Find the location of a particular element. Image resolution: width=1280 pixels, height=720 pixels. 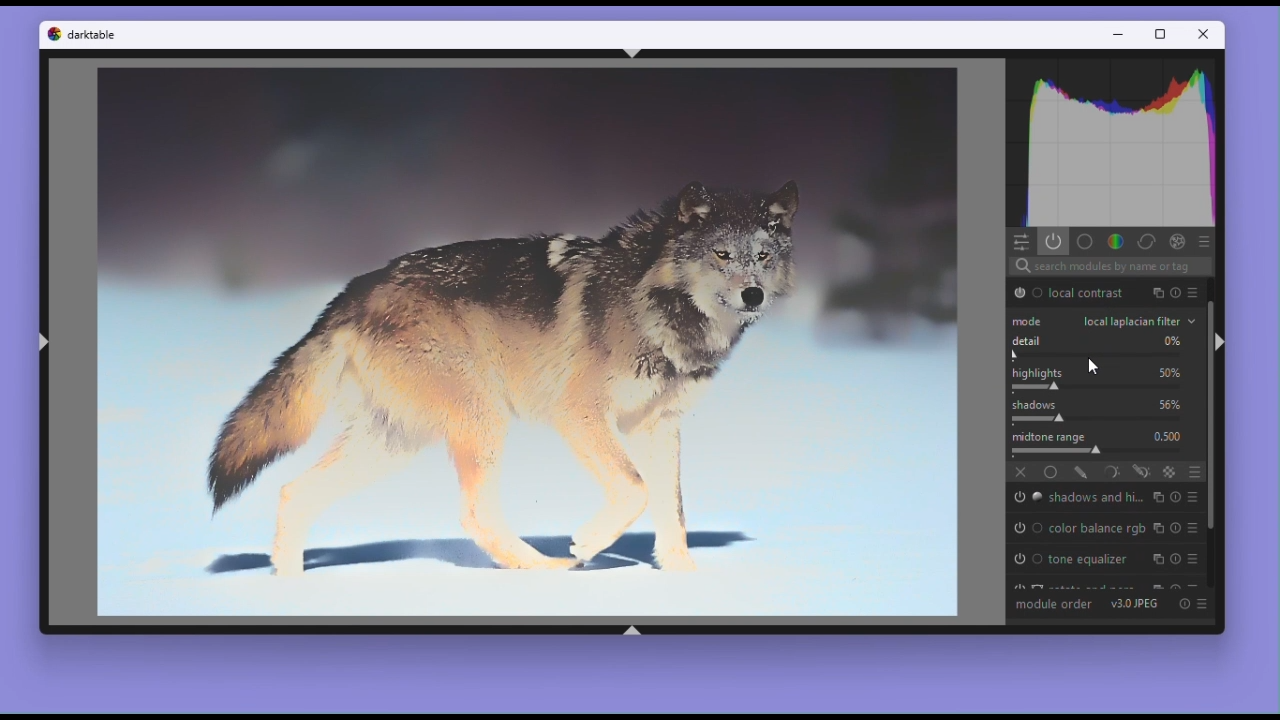

Color is located at coordinates (1115, 241).